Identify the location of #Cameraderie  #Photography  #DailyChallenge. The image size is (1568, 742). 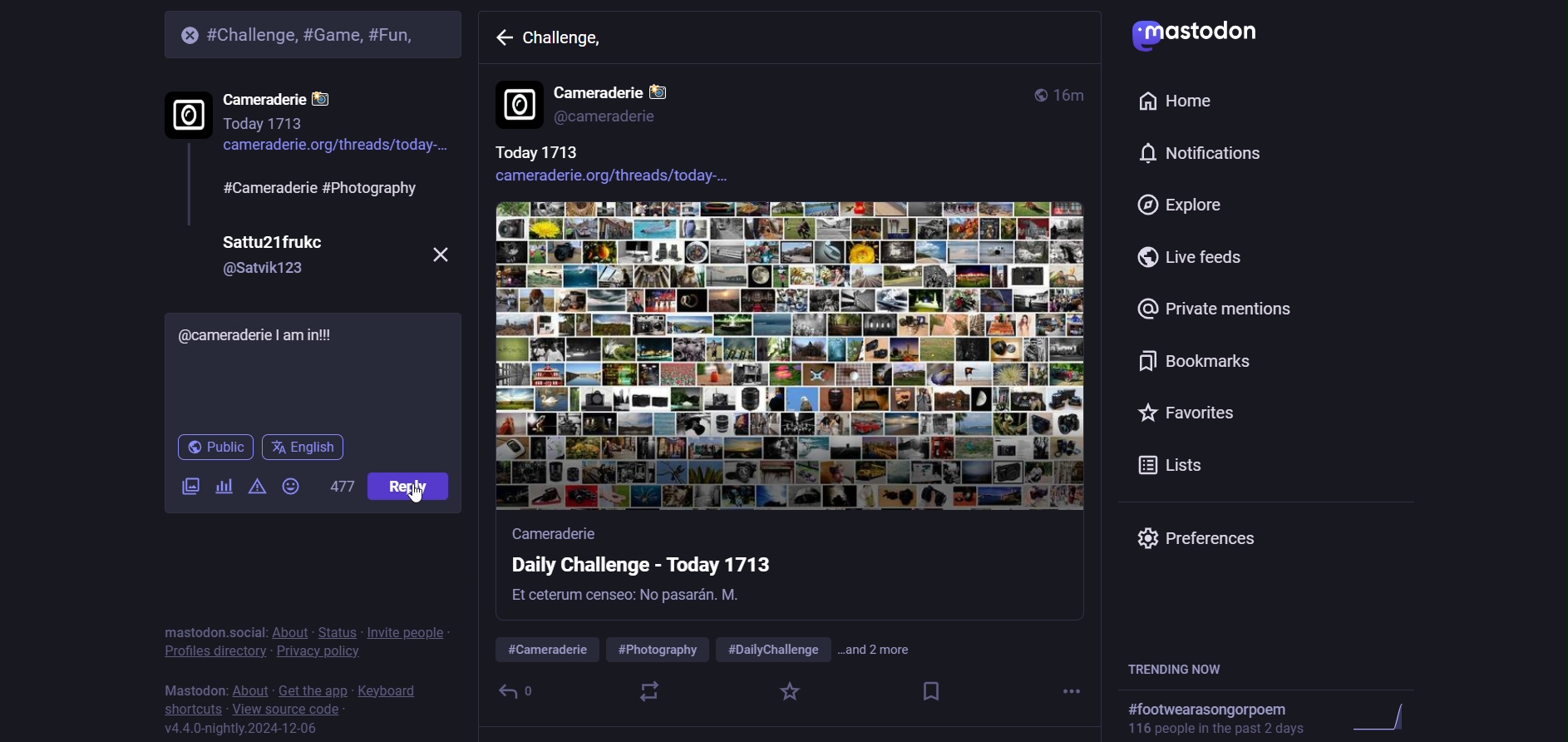
(658, 643).